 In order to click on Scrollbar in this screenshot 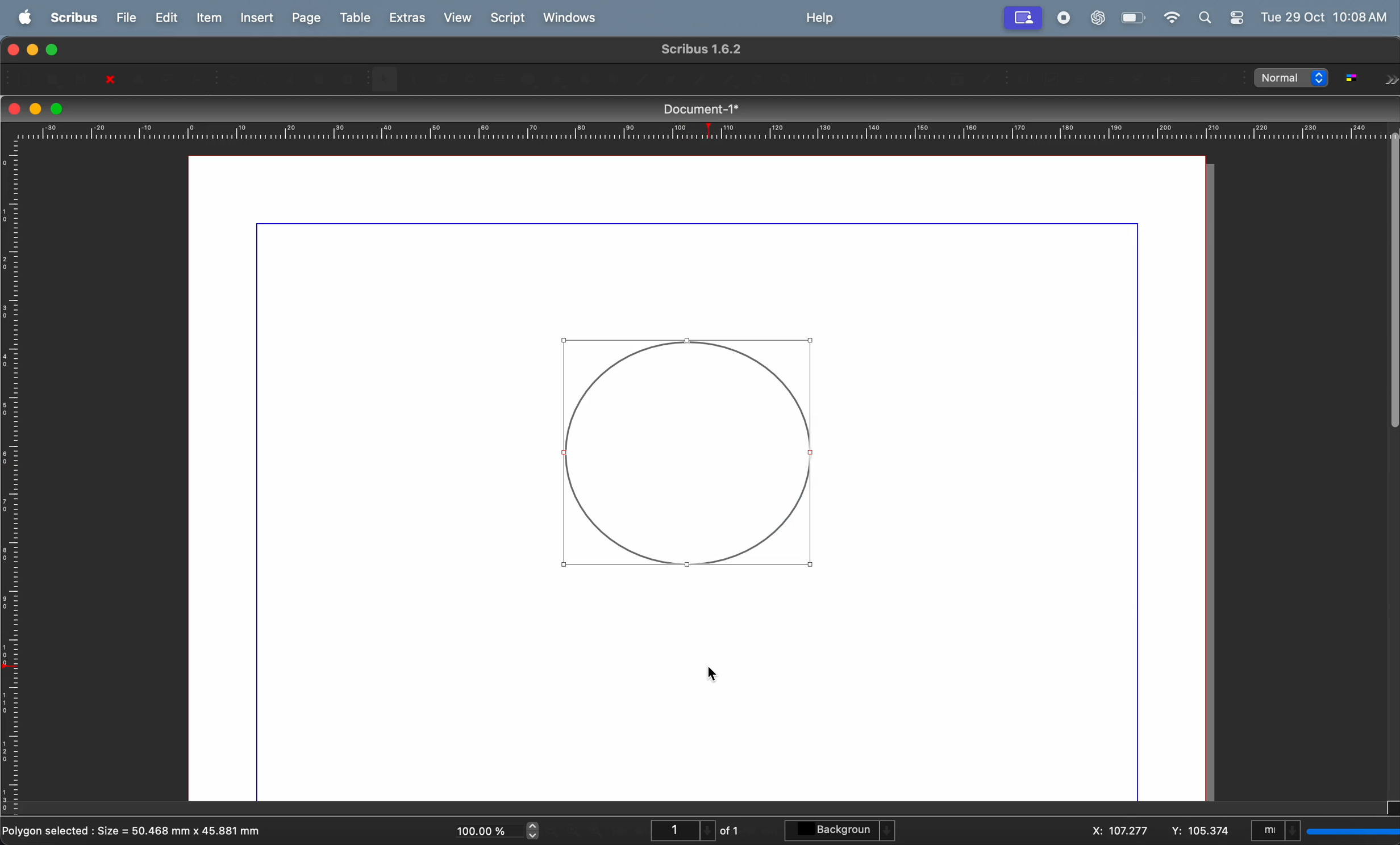, I will do `click(1391, 276)`.